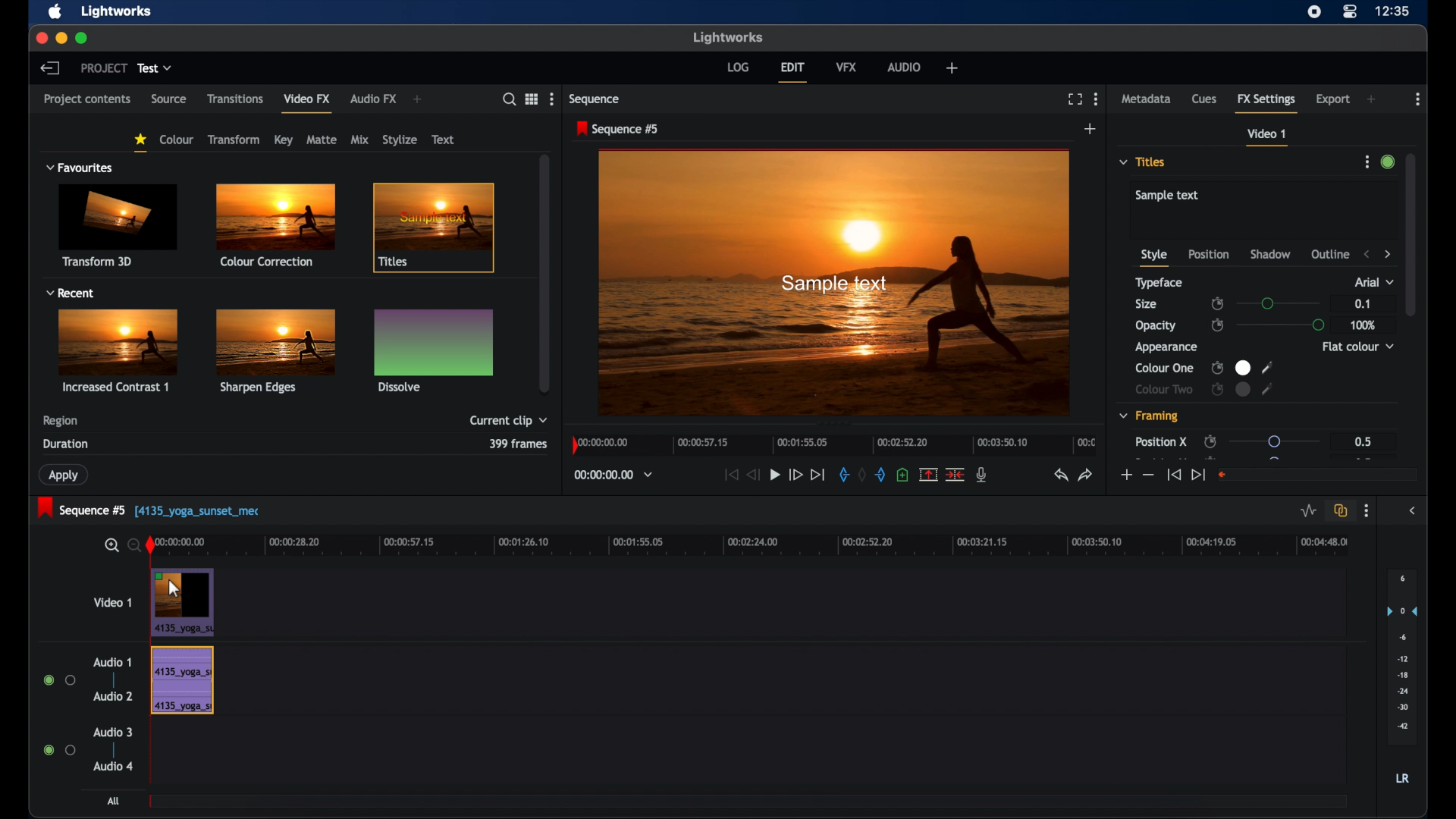 The height and width of the screenshot is (819, 1456). What do you see at coordinates (983, 475) in the screenshot?
I see `mic` at bounding box center [983, 475].